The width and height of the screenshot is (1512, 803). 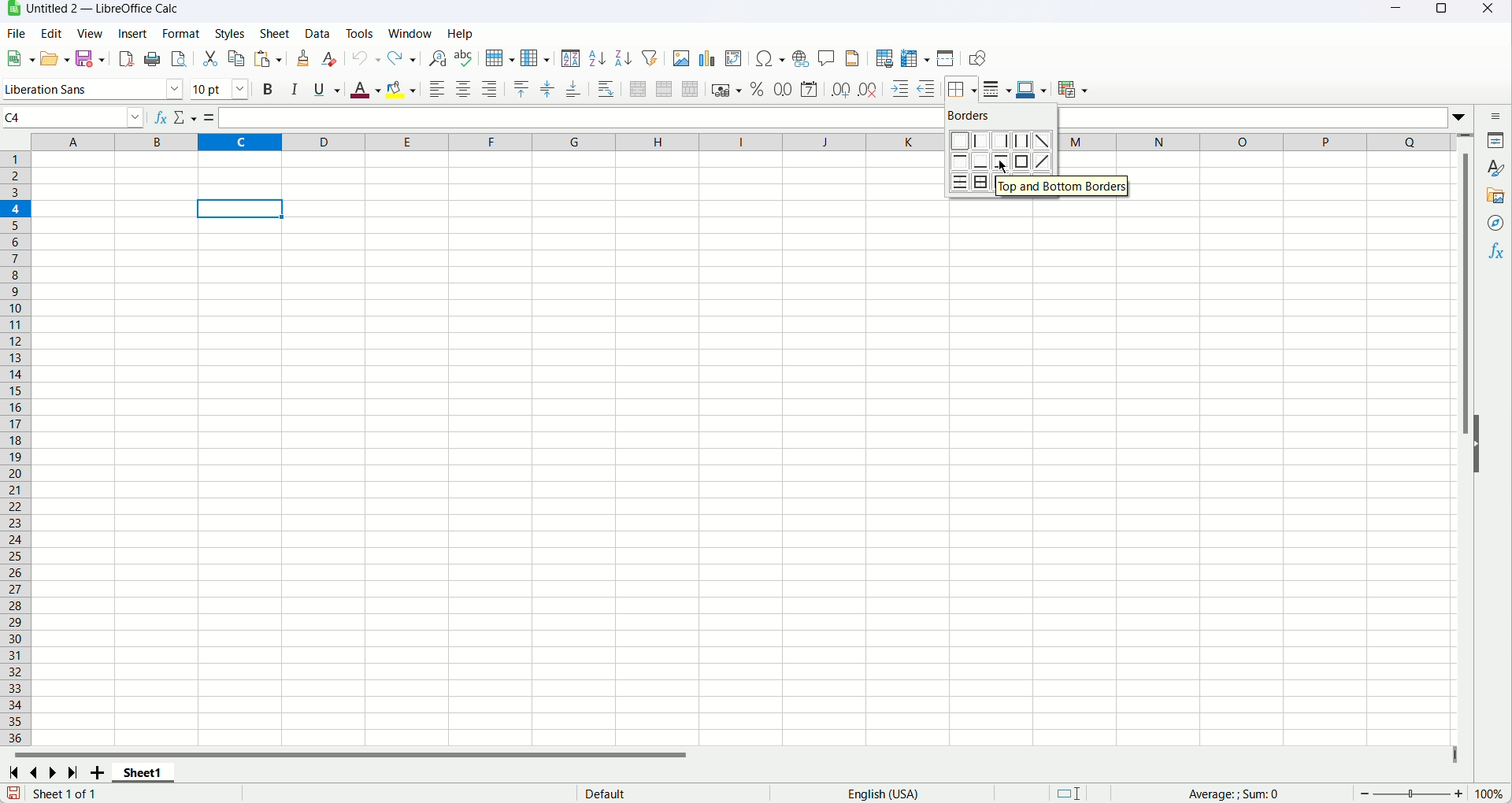 I want to click on zoom, so click(x=1410, y=794).